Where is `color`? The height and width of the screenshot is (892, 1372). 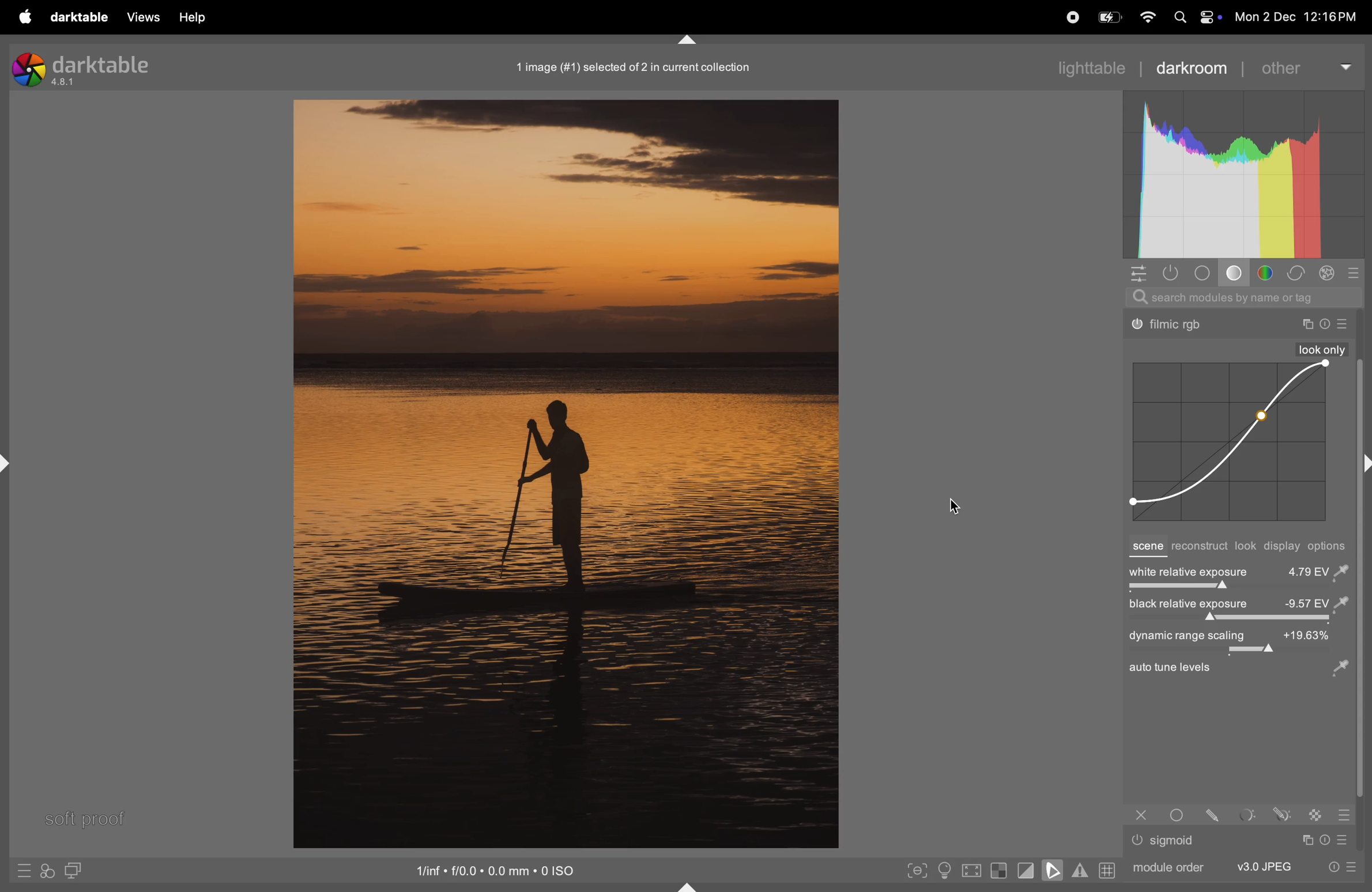 color is located at coordinates (1269, 273).